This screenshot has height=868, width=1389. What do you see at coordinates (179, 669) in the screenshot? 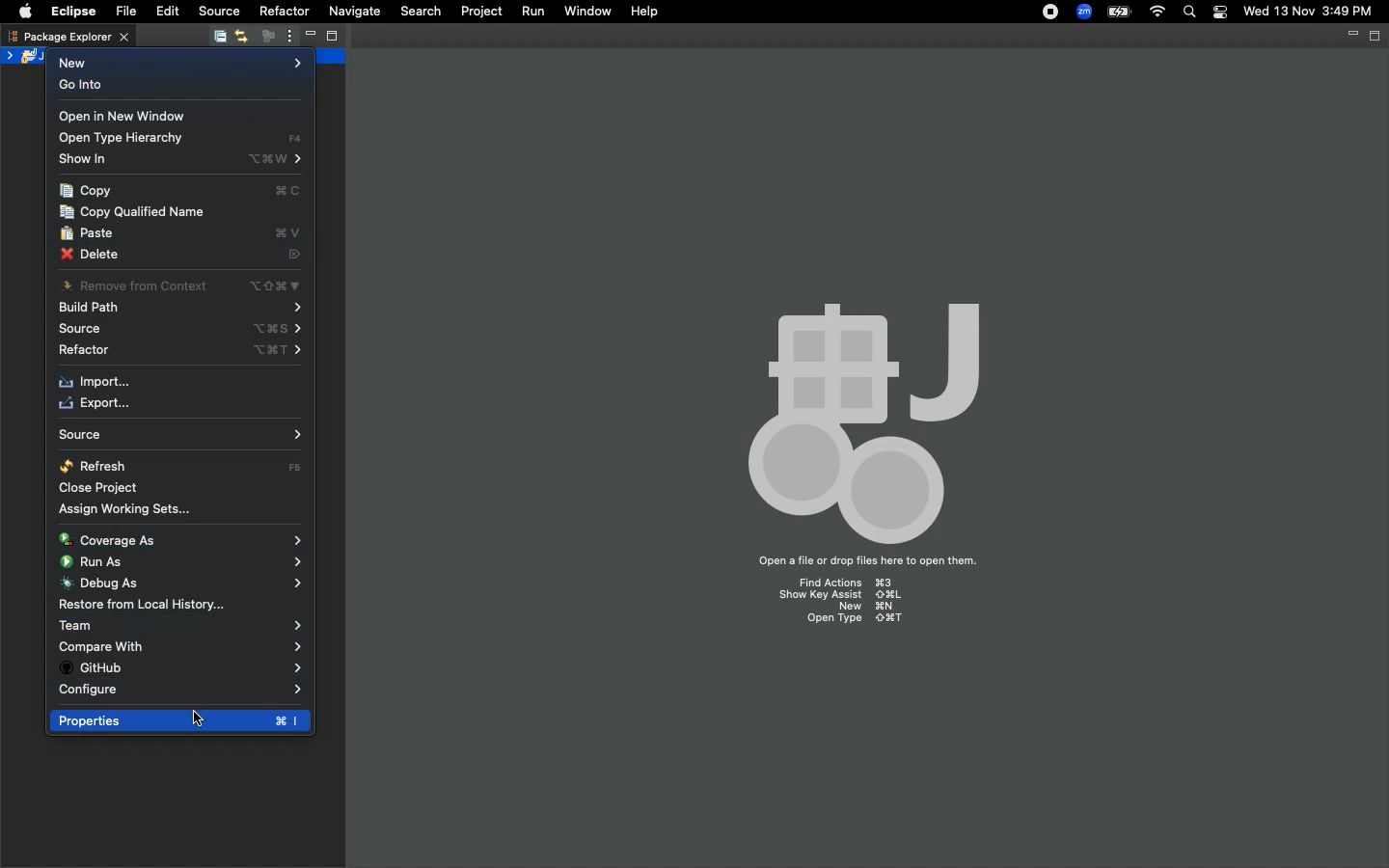
I see `GitHub` at bounding box center [179, 669].